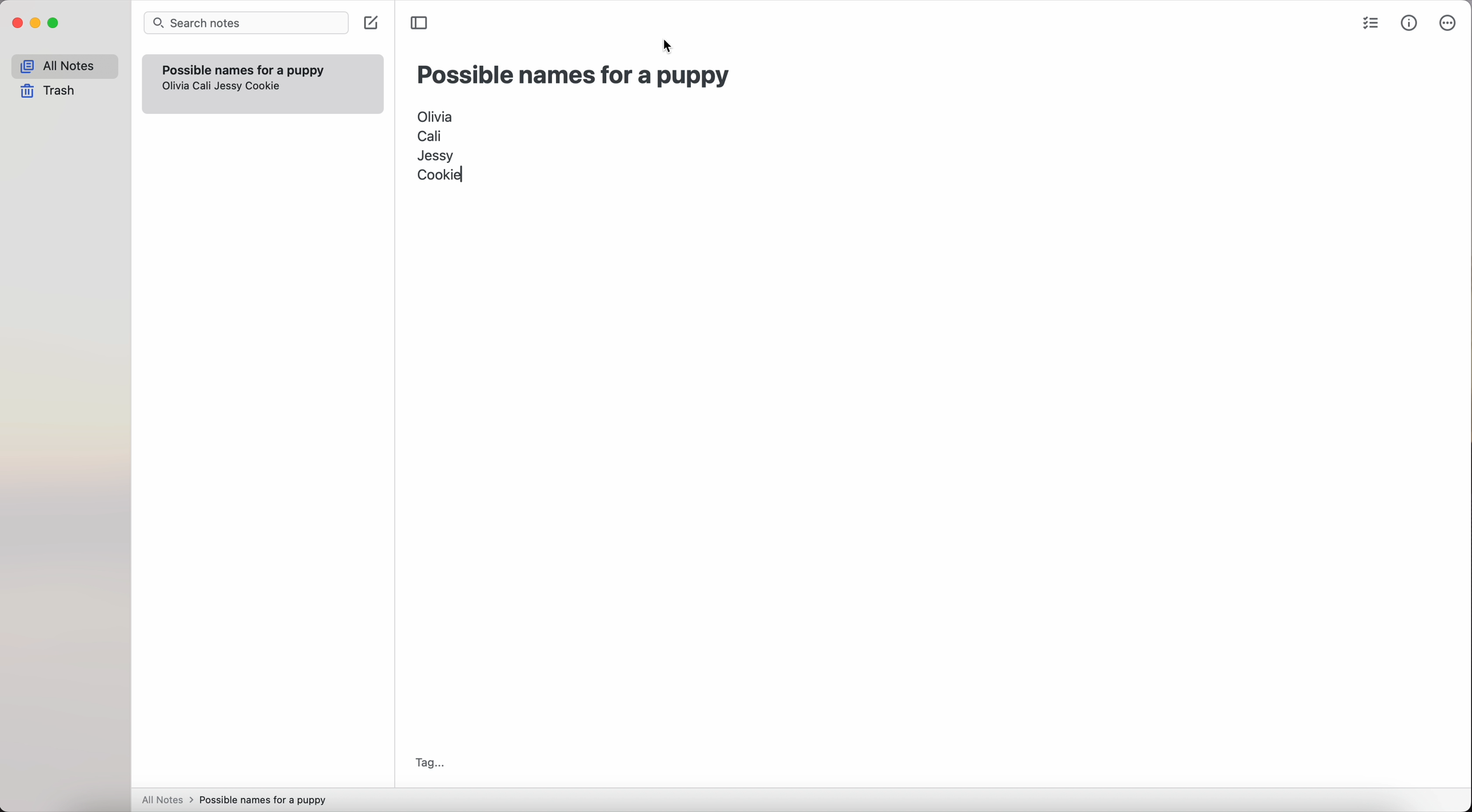  I want to click on close, so click(16, 25).